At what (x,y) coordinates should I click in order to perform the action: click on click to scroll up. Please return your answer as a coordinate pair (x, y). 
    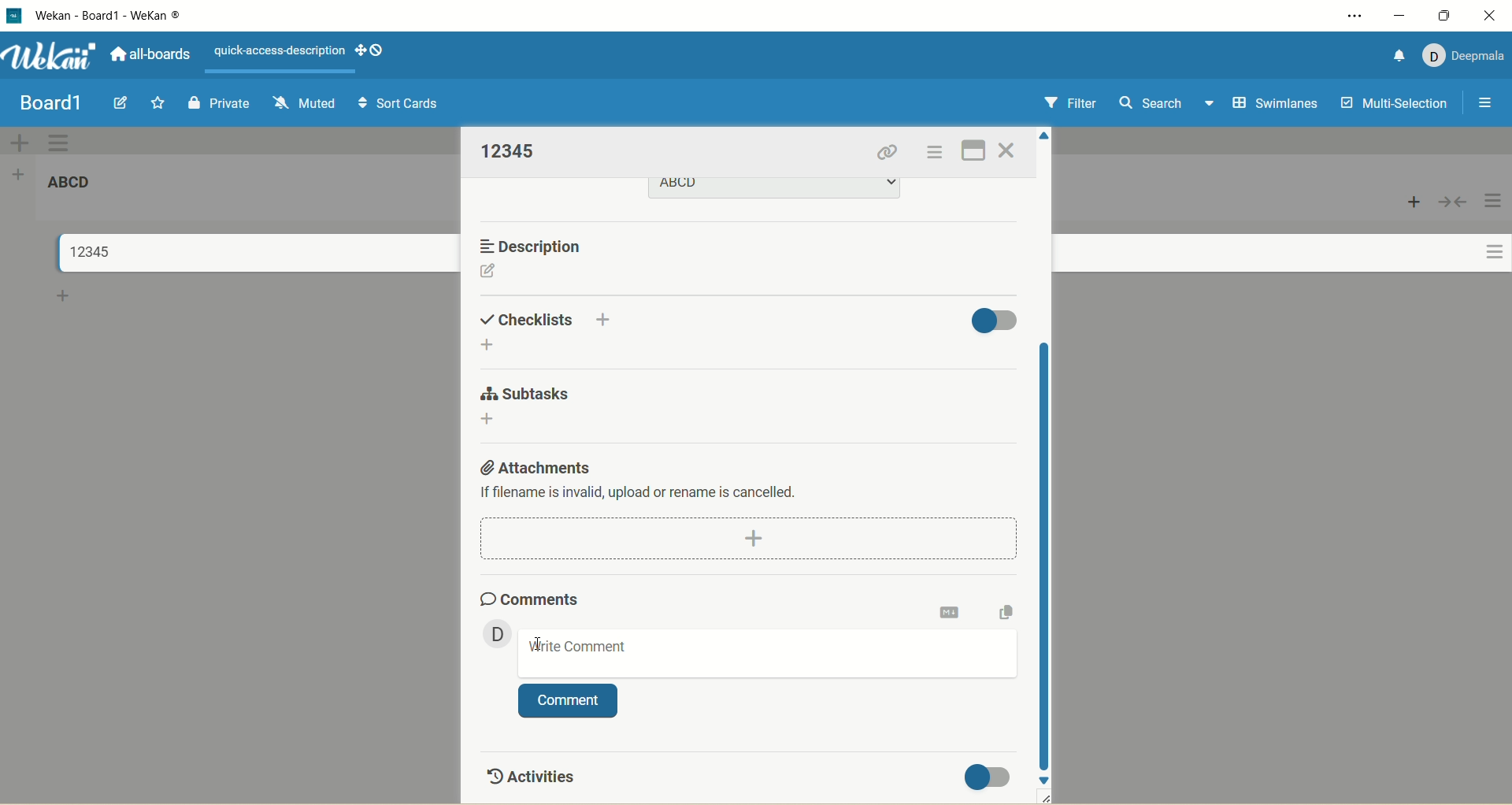
    Looking at the image, I should click on (1047, 133).